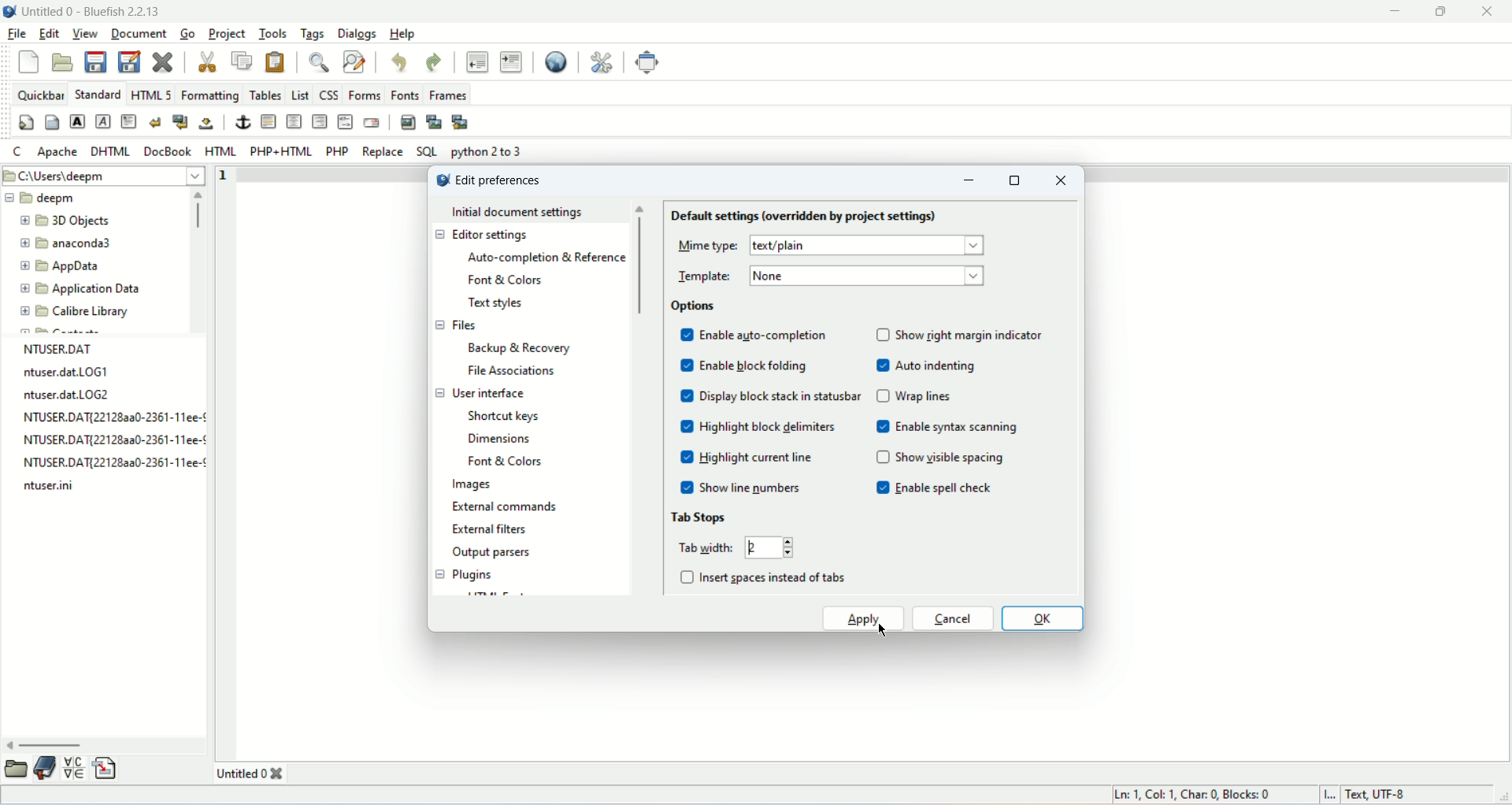  Describe the element at coordinates (109, 418) in the screenshot. I see `NTUSER.DAT{22128aa0-2361-11ee-¢` at that location.